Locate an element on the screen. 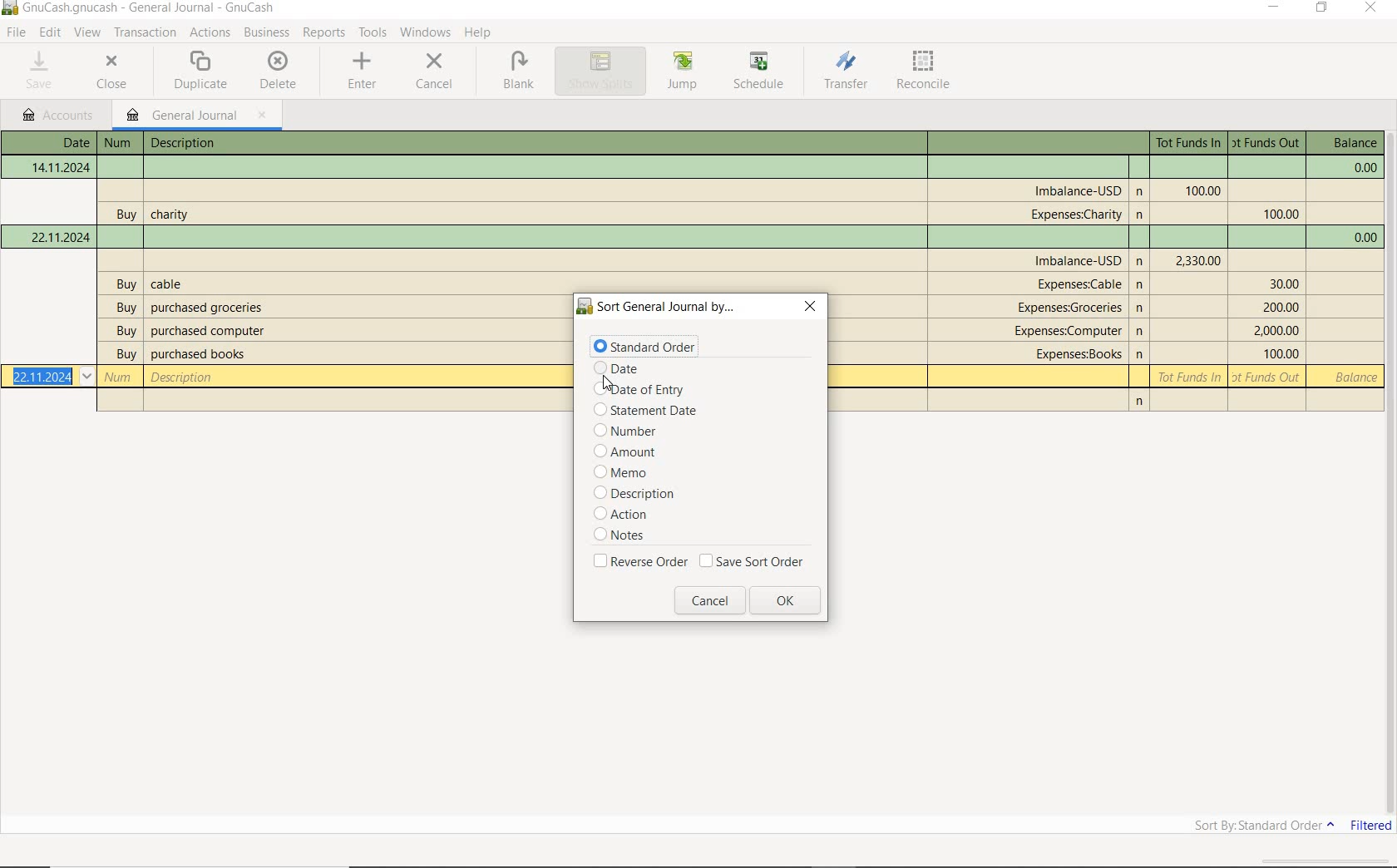 This screenshot has height=868, width=1397. SCHEDULE is located at coordinates (761, 72).